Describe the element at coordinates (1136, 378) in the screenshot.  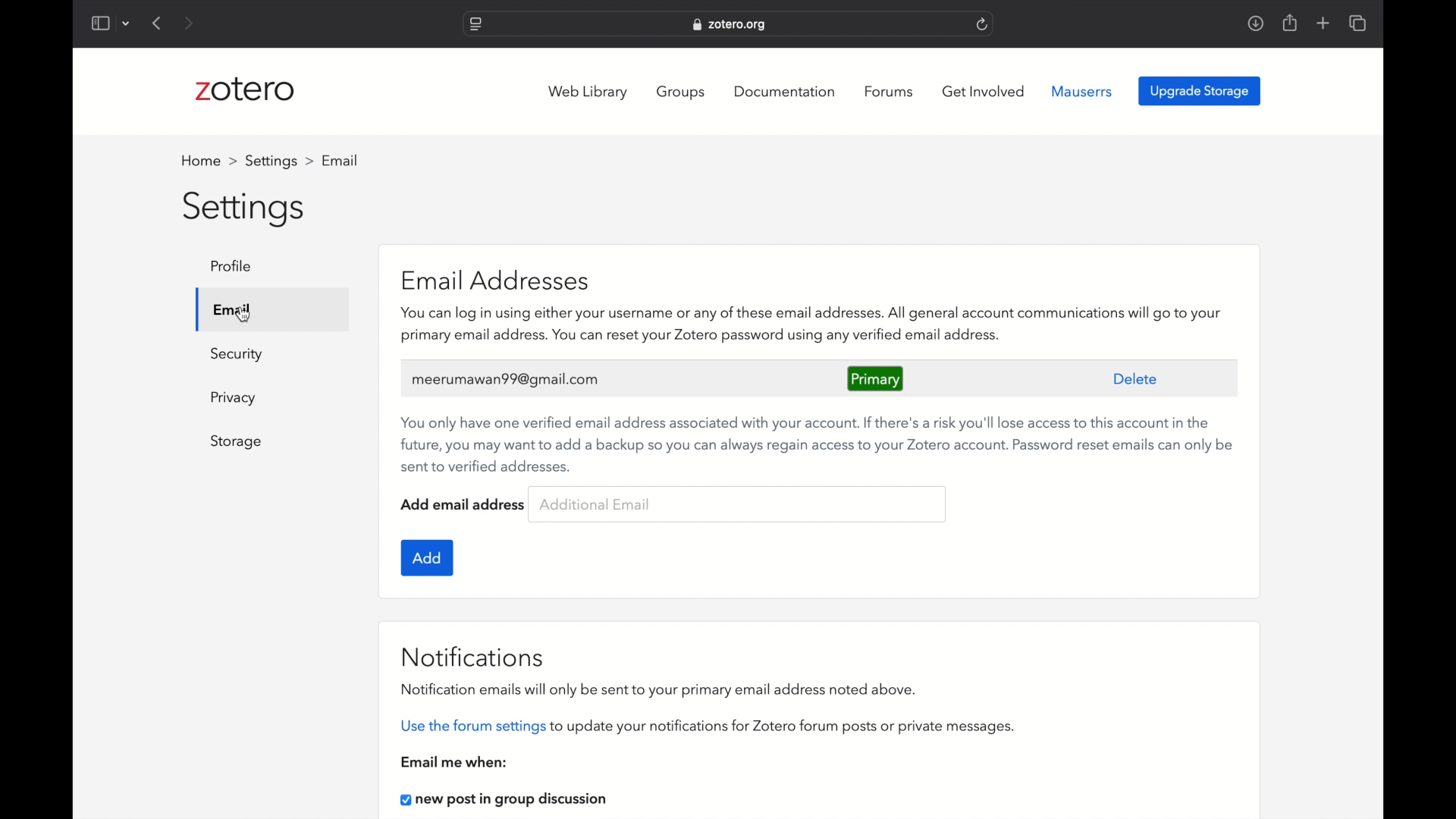
I see `delete` at that location.